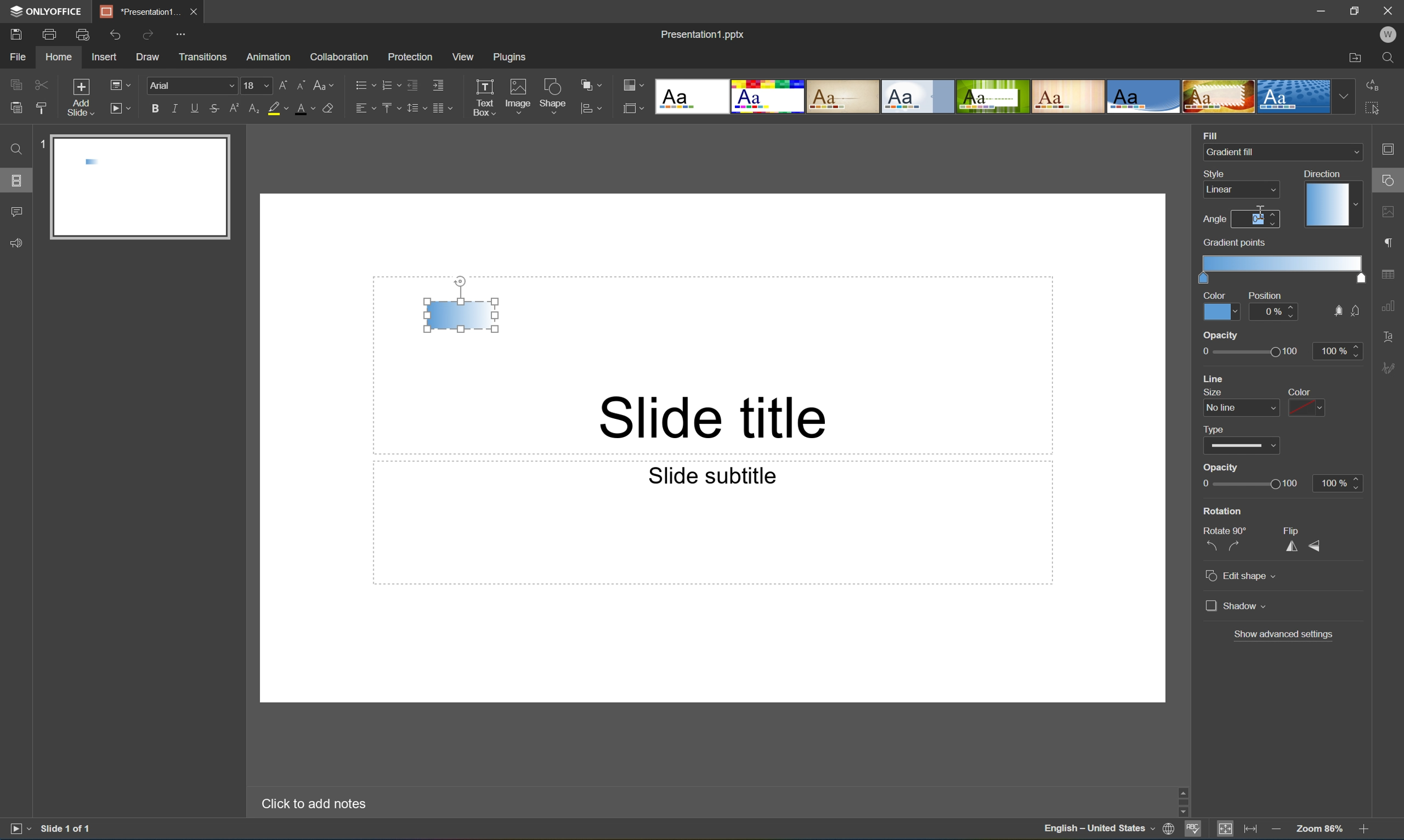  I want to click on Start slideshow, so click(119, 107).